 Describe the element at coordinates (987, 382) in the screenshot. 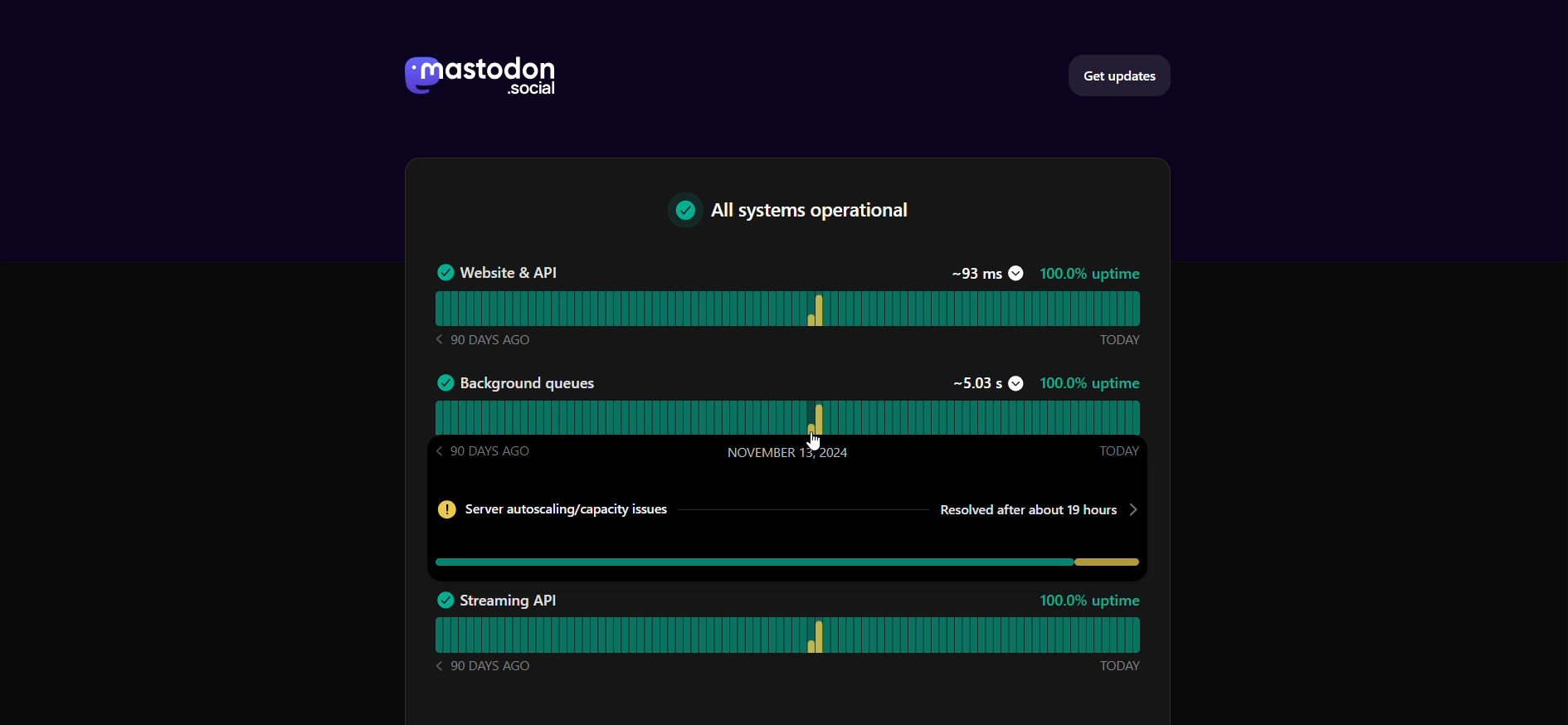

I see `~5.03s` at that location.